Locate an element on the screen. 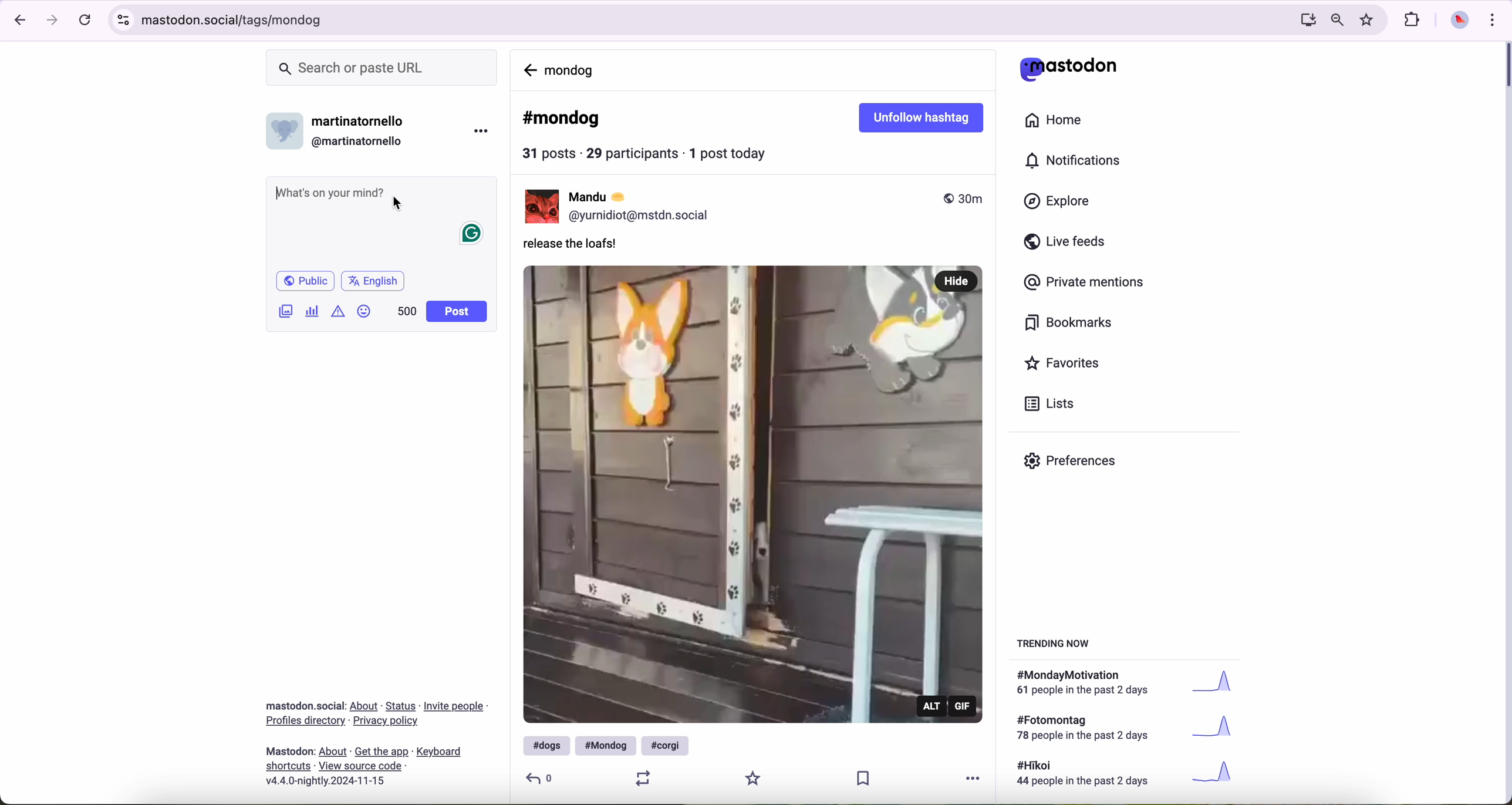 This screenshot has width=1512, height=805. 500 is located at coordinates (406, 311).